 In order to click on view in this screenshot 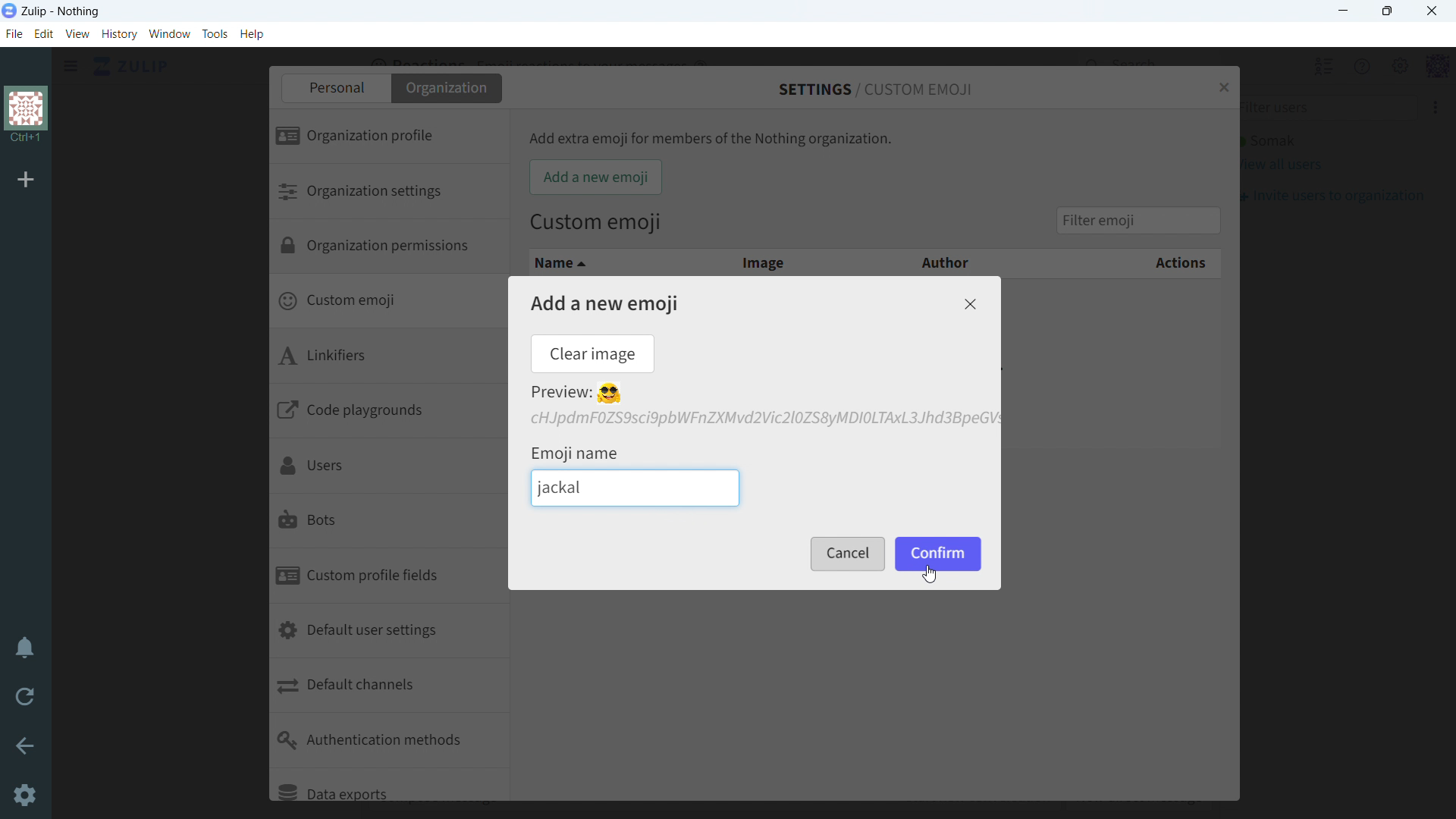, I will do `click(78, 34)`.